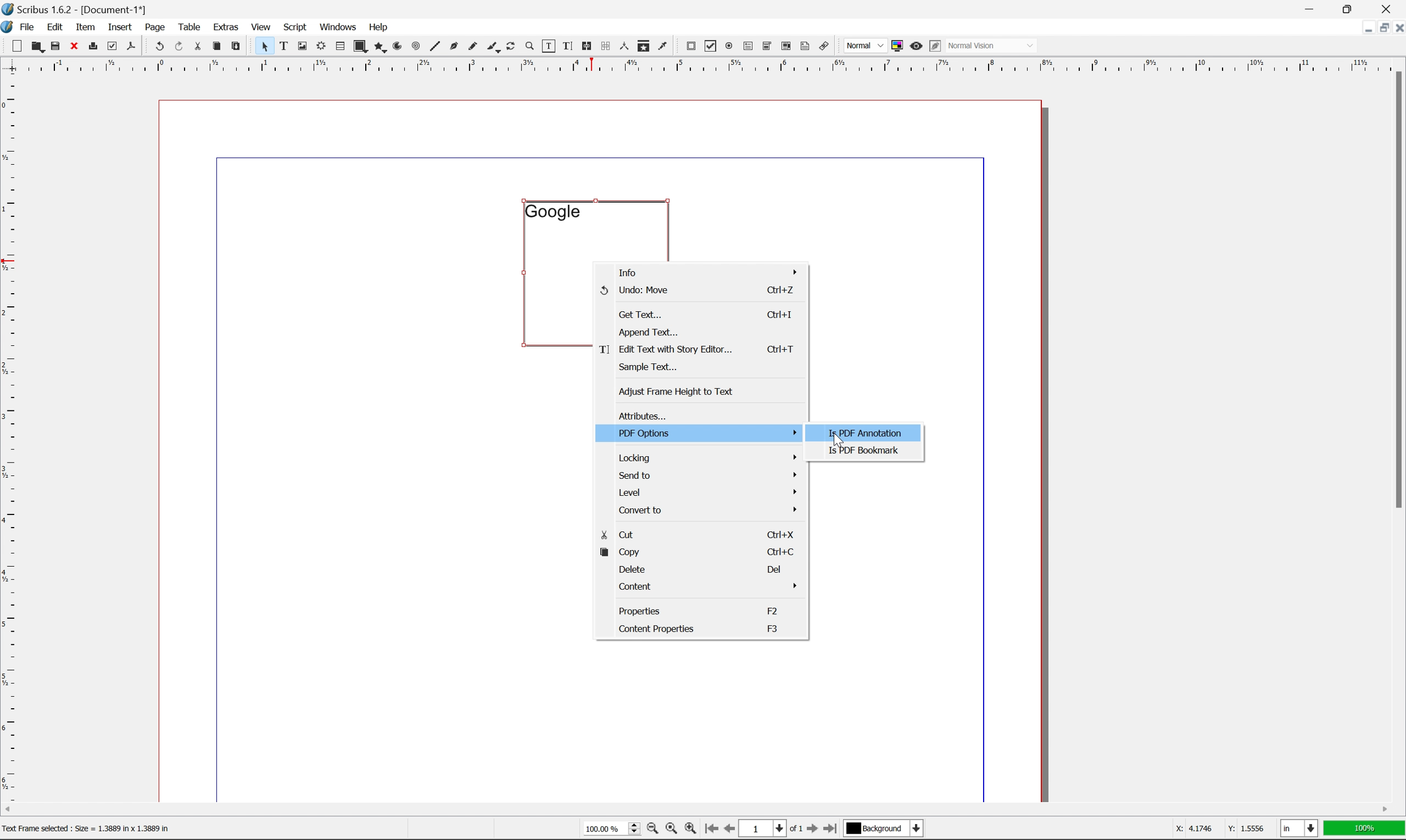 The width and height of the screenshot is (1406, 840). I want to click on render frame, so click(320, 45).